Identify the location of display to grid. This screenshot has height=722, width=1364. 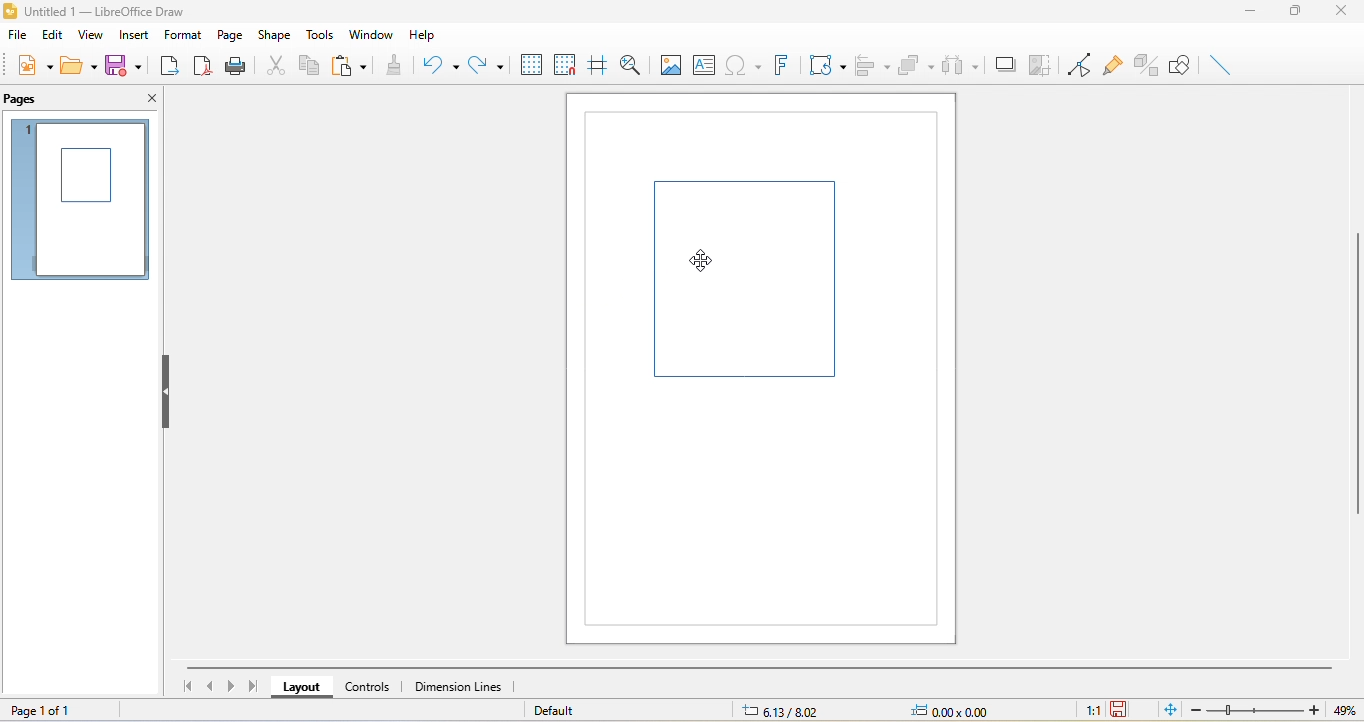
(531, 65).